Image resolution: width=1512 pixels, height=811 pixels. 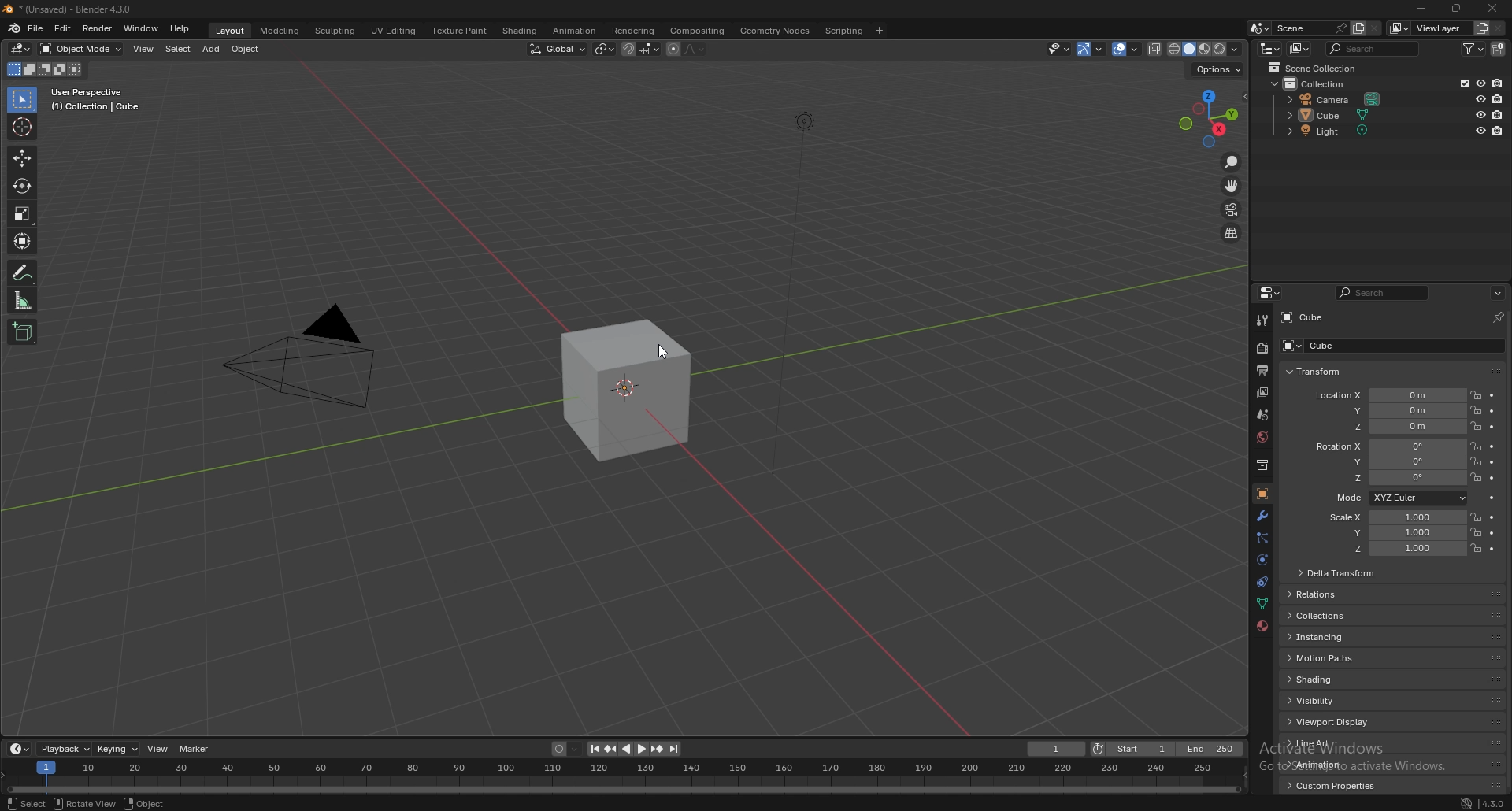 What do you see at coordinates (1338, 98) in the screenshot?
I see `camera` at bounding box center [1338, 98].